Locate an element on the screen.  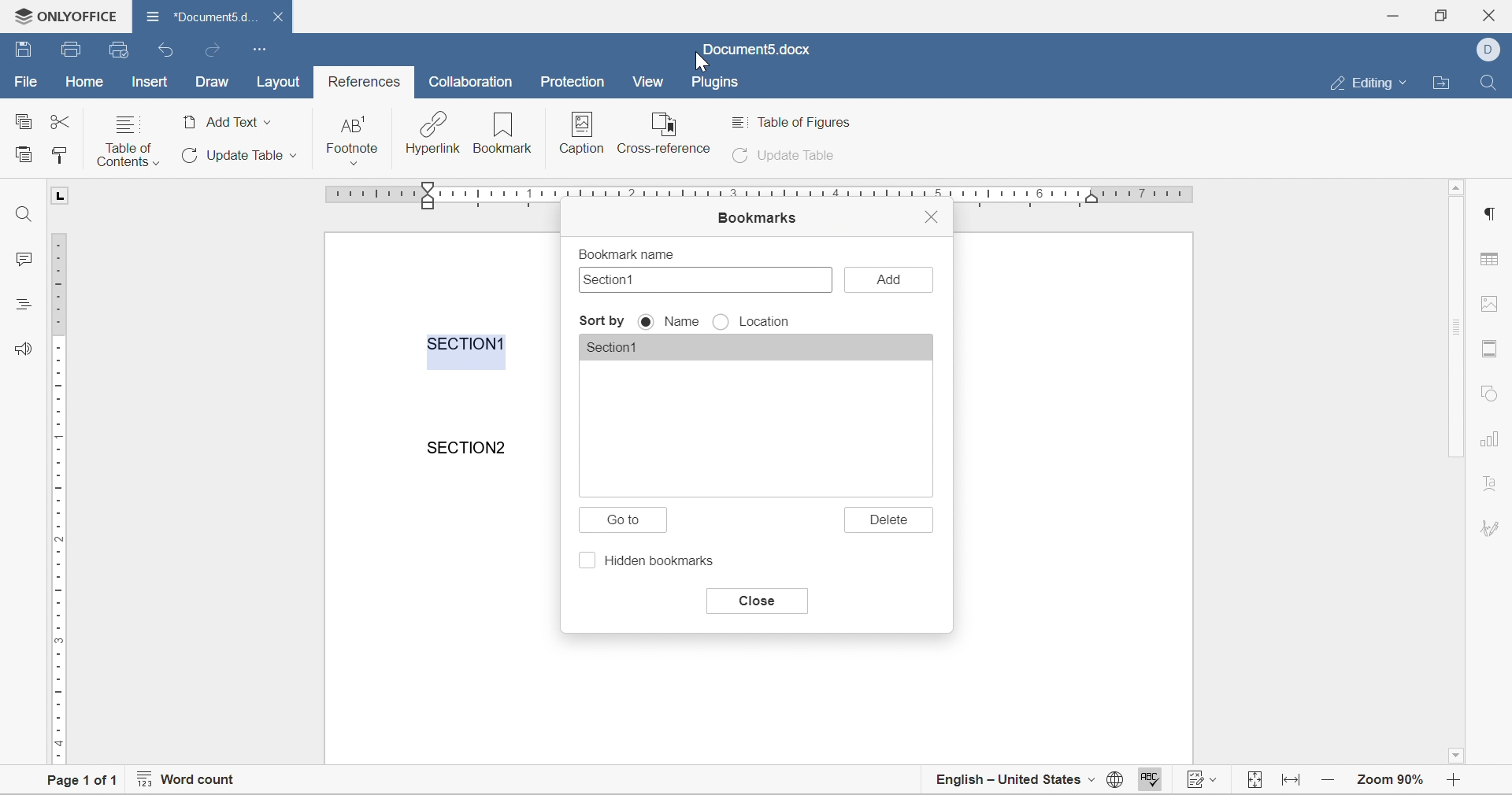
feedback and support is located at coordinates (24, 347).